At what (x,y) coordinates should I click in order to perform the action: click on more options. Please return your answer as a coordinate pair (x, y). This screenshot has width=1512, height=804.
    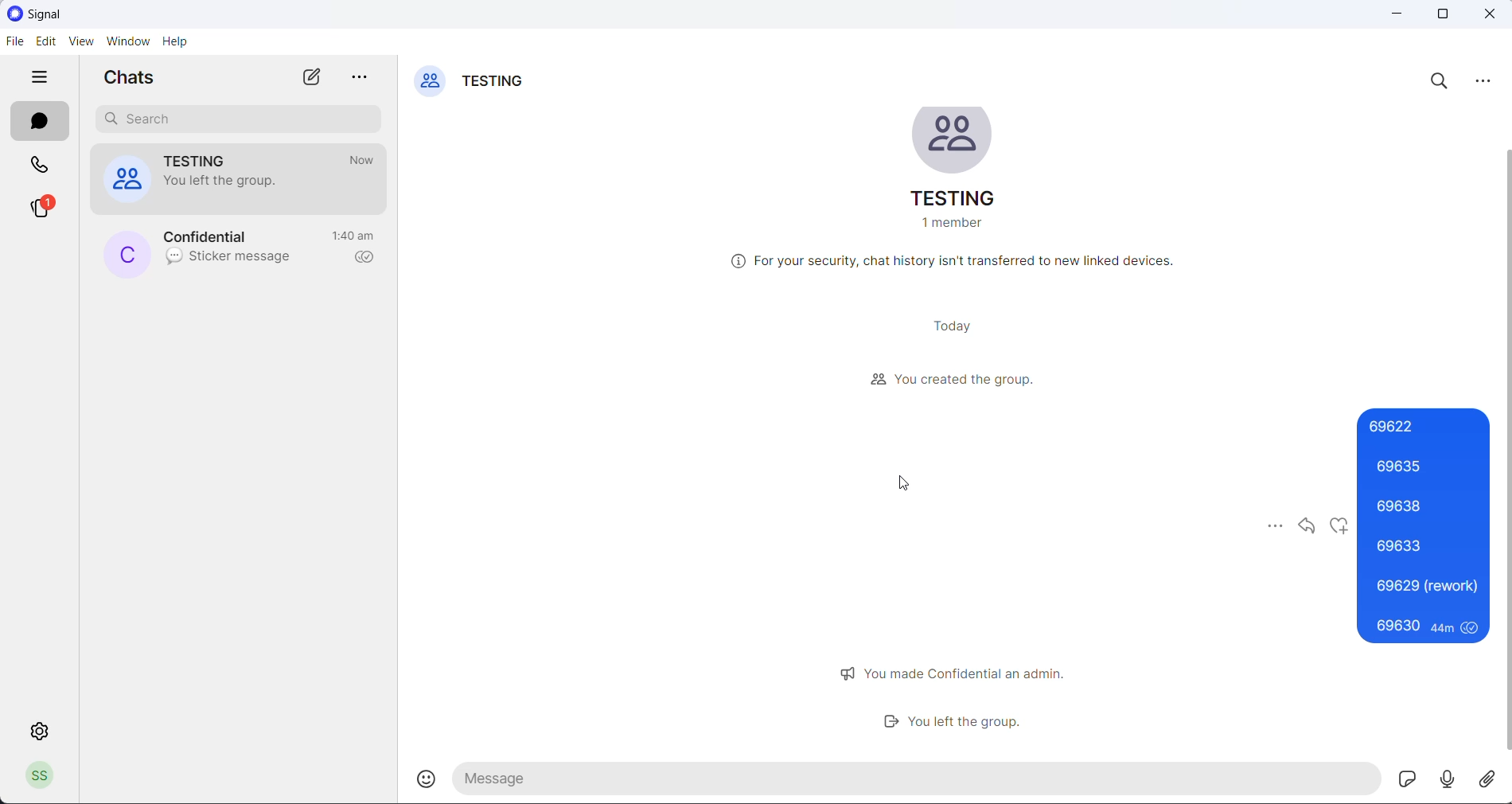
    Looking at the image, I should click on (1268, 527).